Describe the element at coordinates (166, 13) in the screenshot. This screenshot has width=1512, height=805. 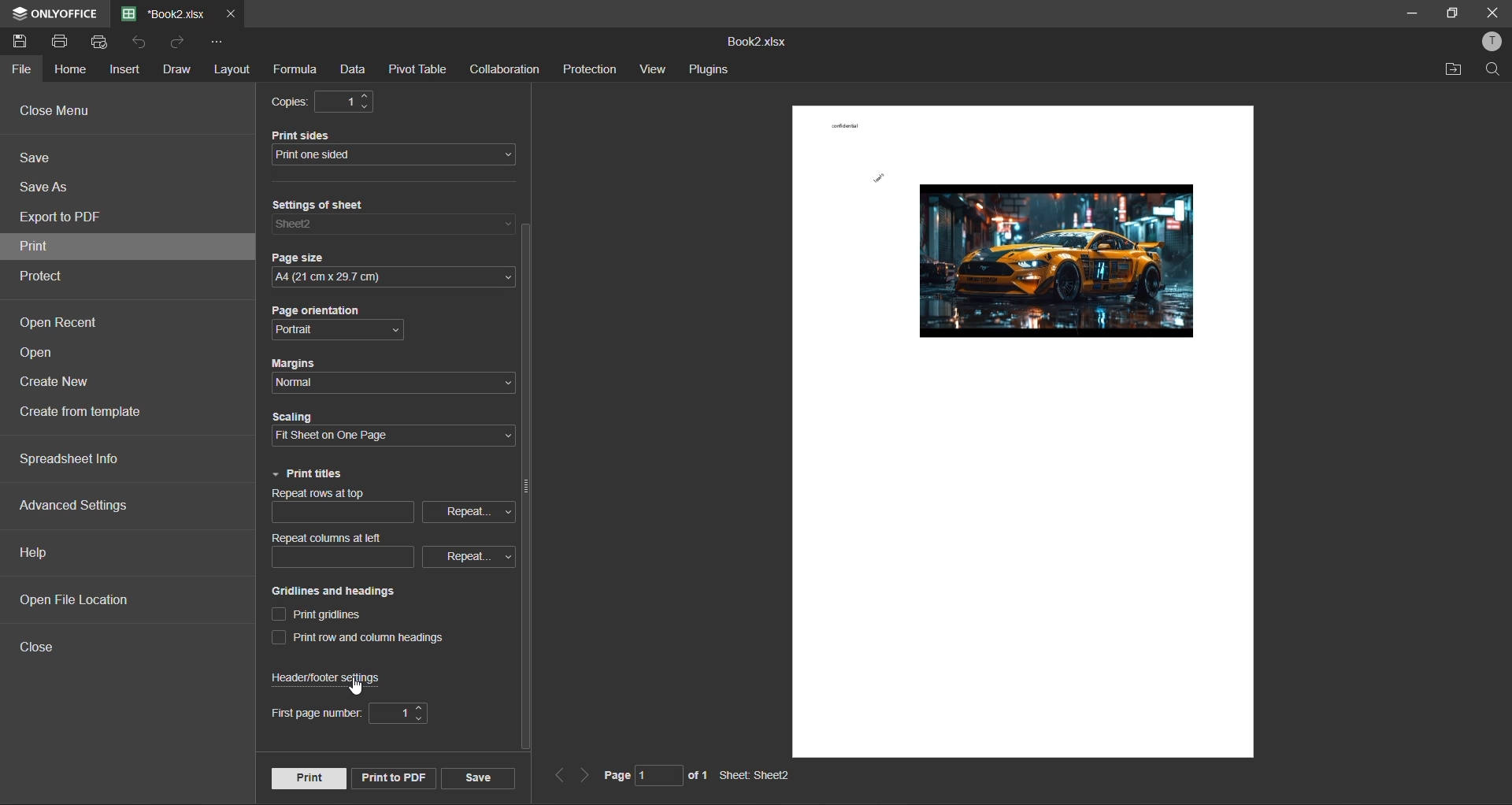
I see `filename` at that location.